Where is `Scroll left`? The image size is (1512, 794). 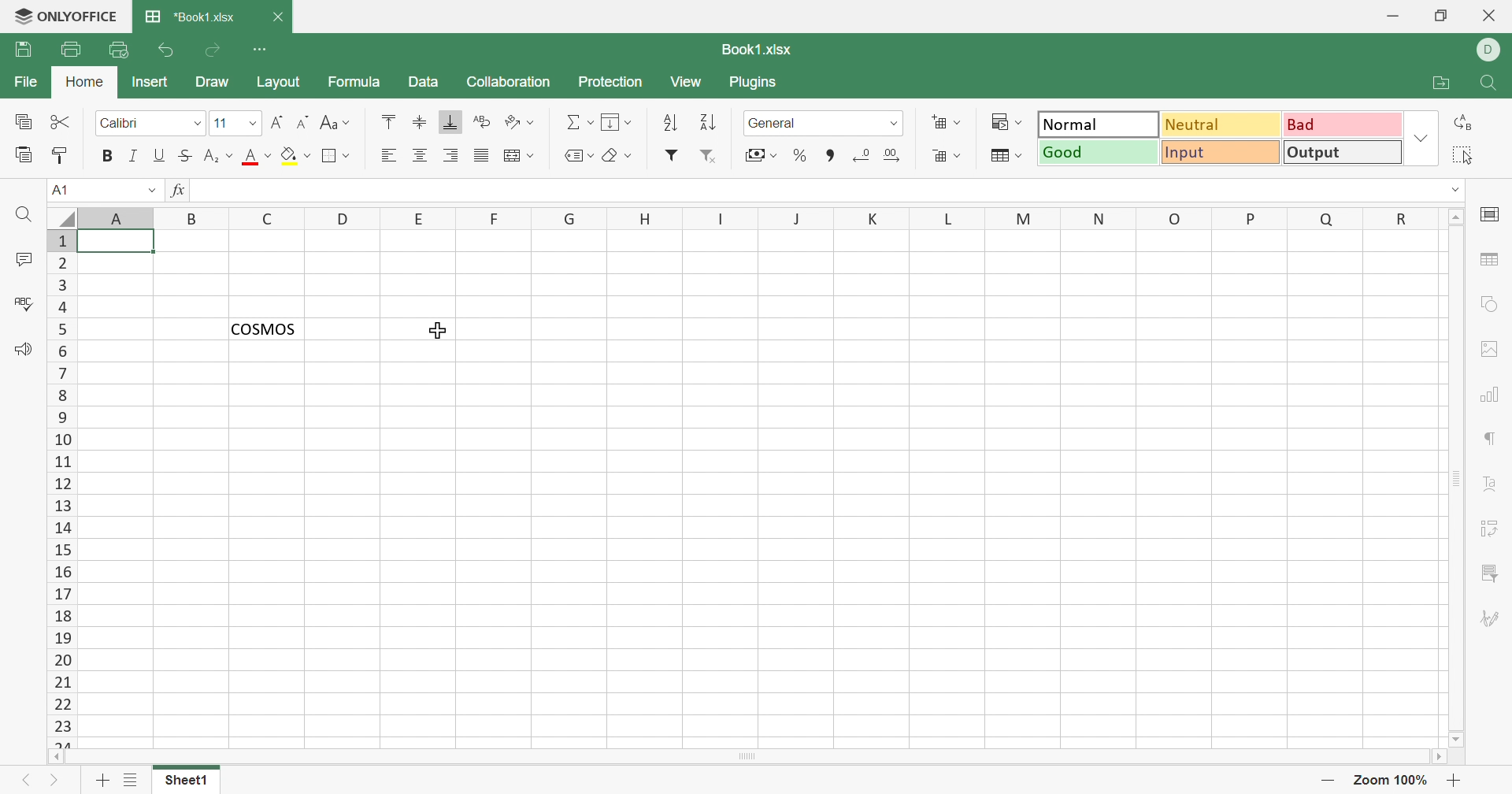 Scroll left is located at coordinates (57, 757).